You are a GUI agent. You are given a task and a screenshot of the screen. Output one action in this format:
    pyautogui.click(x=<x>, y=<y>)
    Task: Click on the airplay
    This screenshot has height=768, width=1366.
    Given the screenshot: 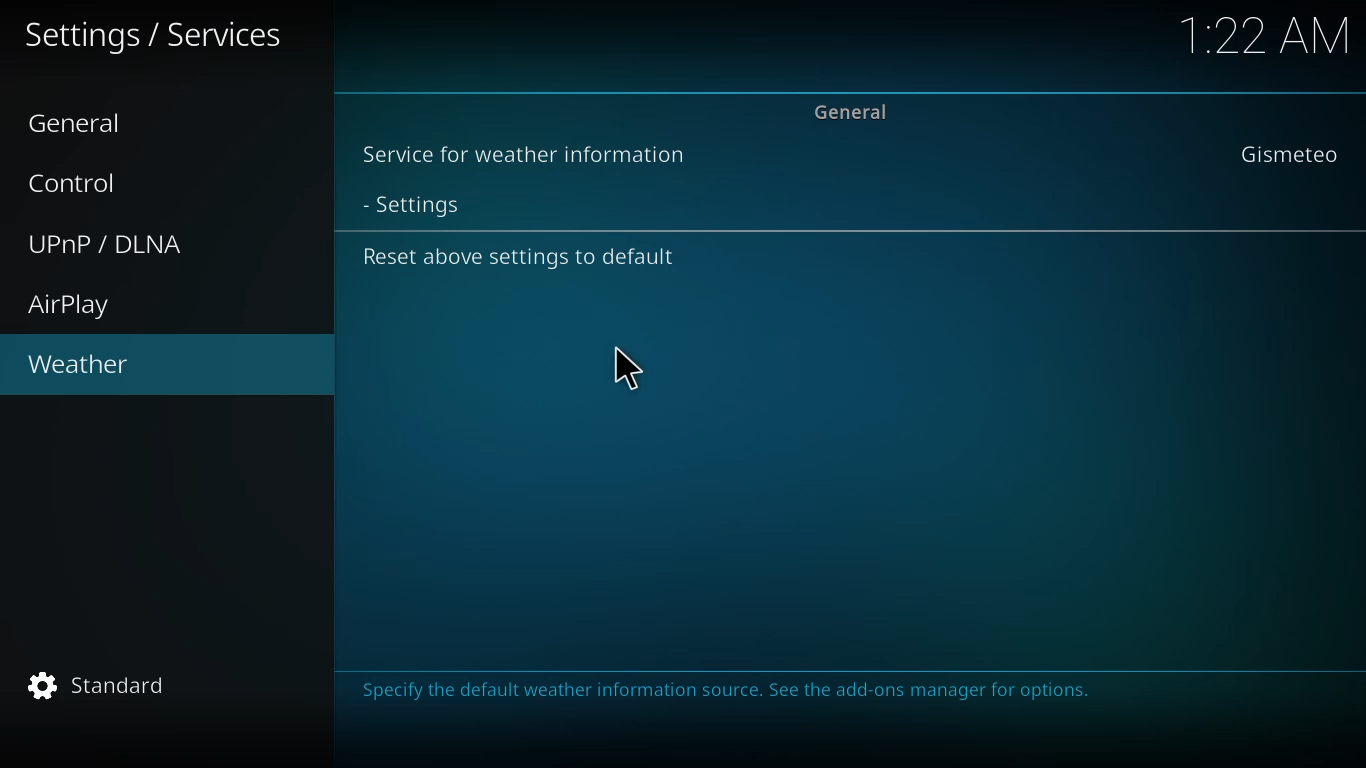 What is the action you would take?
    pyautogui.click(x=73, y=306)
    